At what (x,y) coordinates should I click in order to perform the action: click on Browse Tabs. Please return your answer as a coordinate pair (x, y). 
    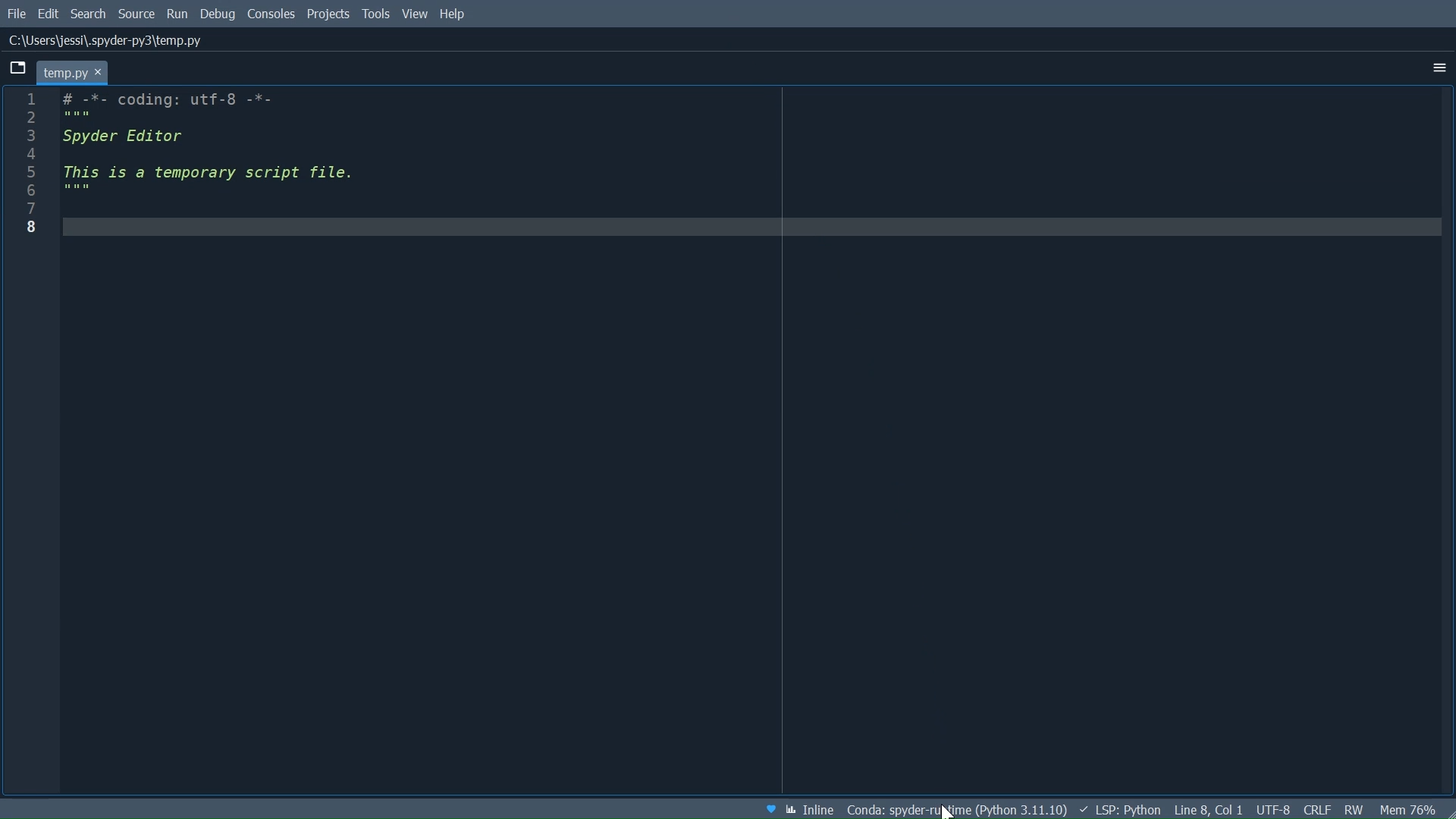
    Looking at the image, I should click on (17, 70).